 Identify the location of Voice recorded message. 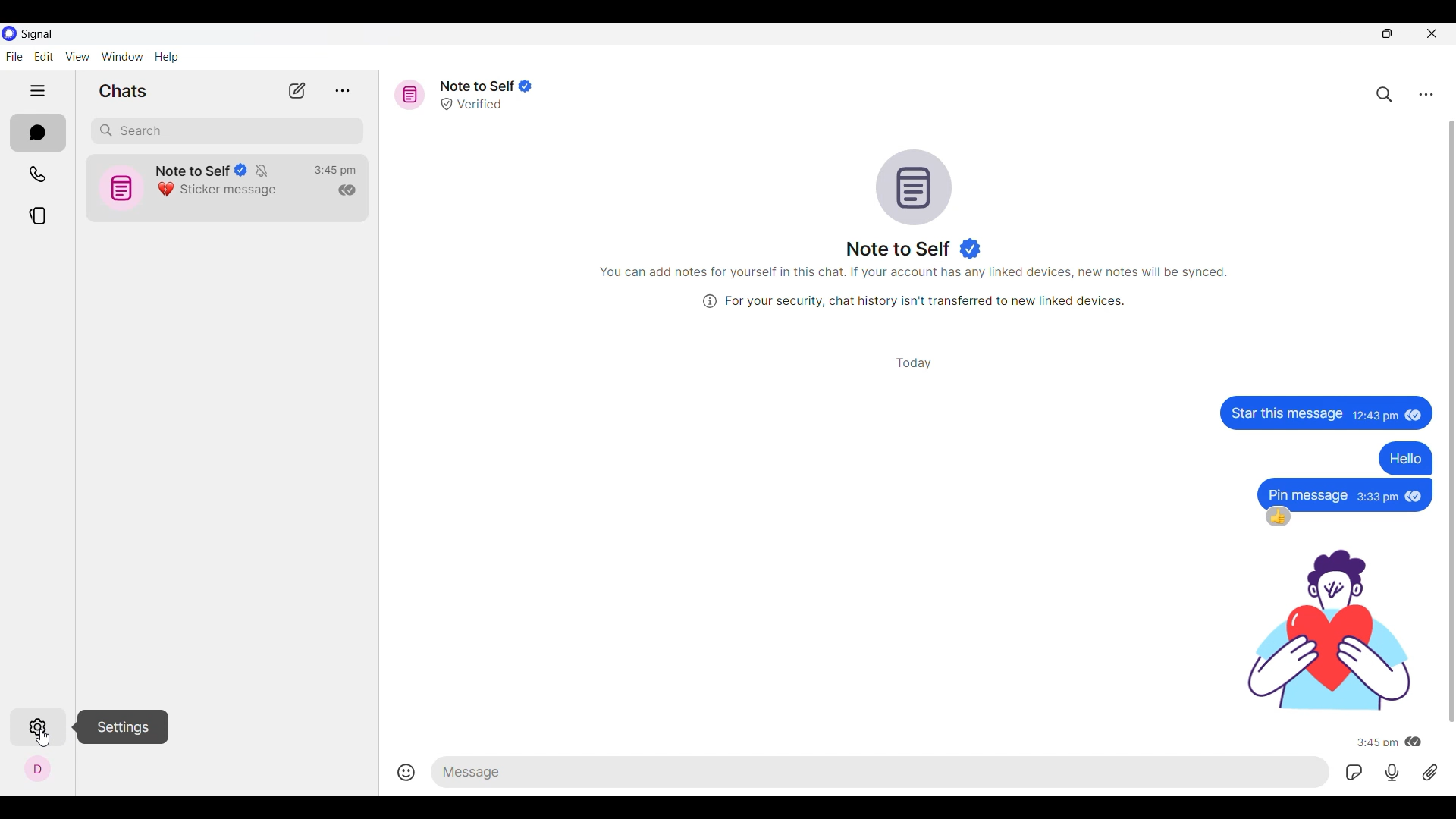
(1392, 773).